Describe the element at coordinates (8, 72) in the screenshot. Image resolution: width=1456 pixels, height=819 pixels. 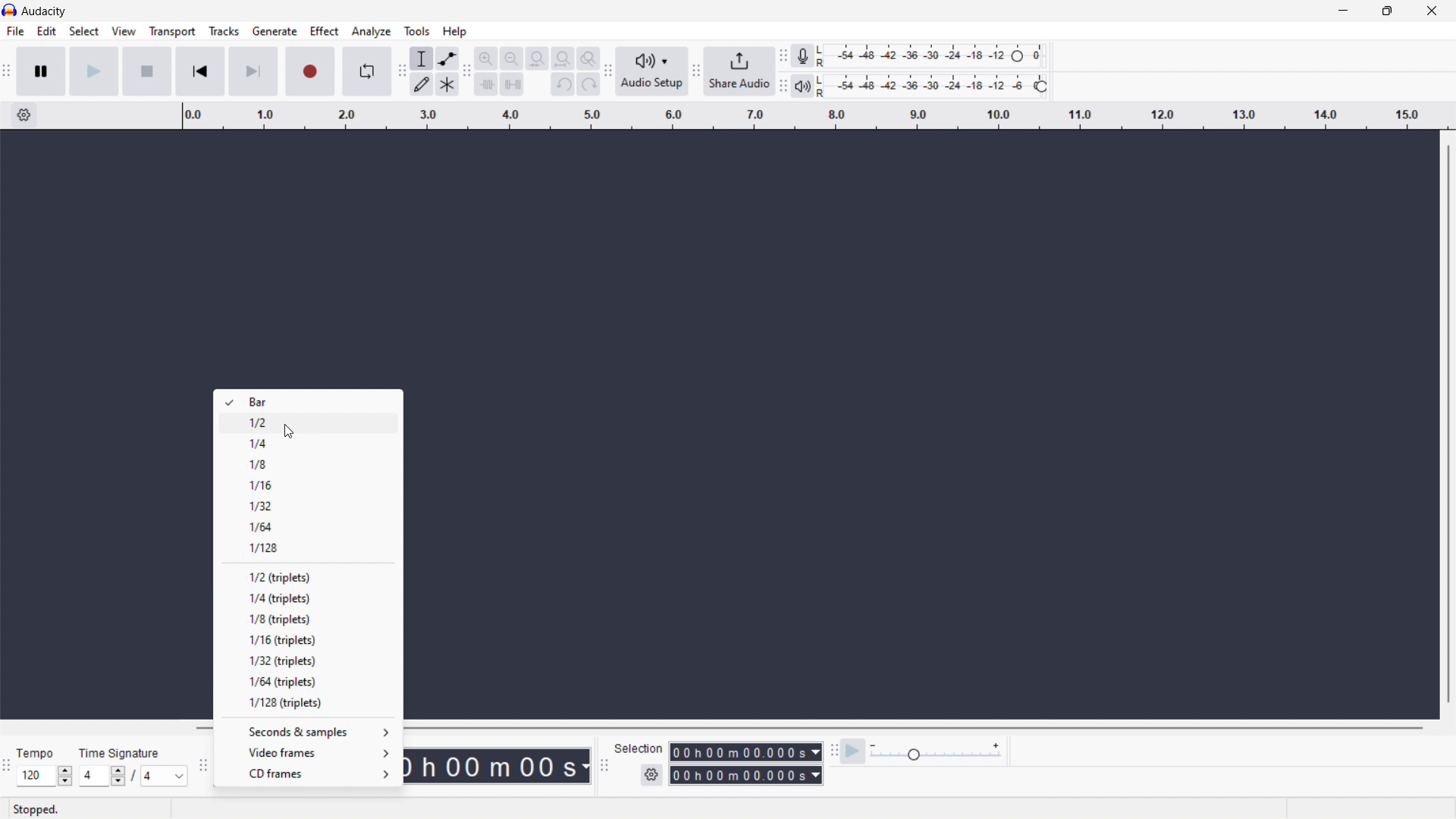
I see `transport toolbar` at that location.